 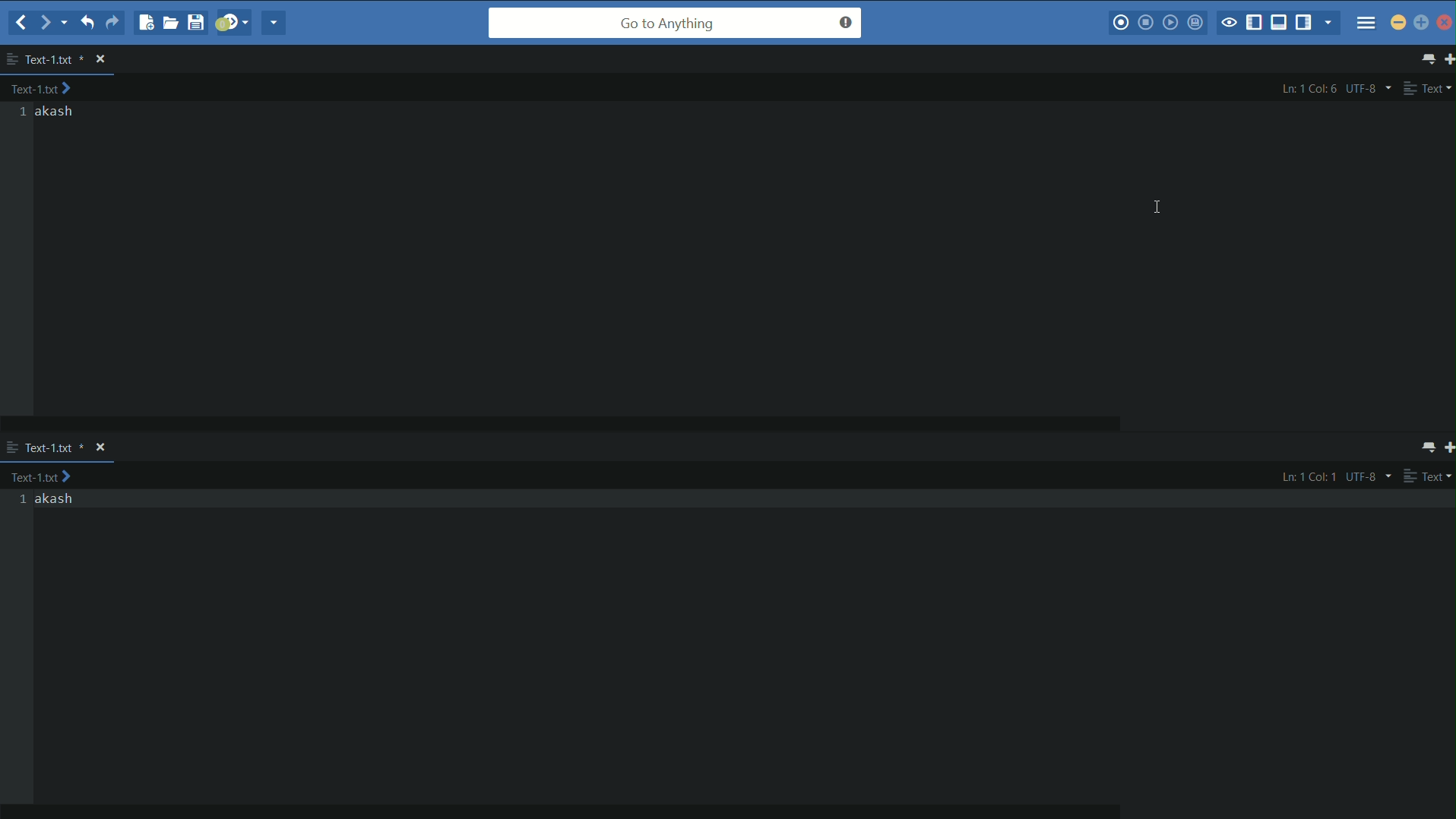 What do you see at coordinates (51, 479) in the screenshot?
I see `Text-1 File` at bounding box center [51, 479].